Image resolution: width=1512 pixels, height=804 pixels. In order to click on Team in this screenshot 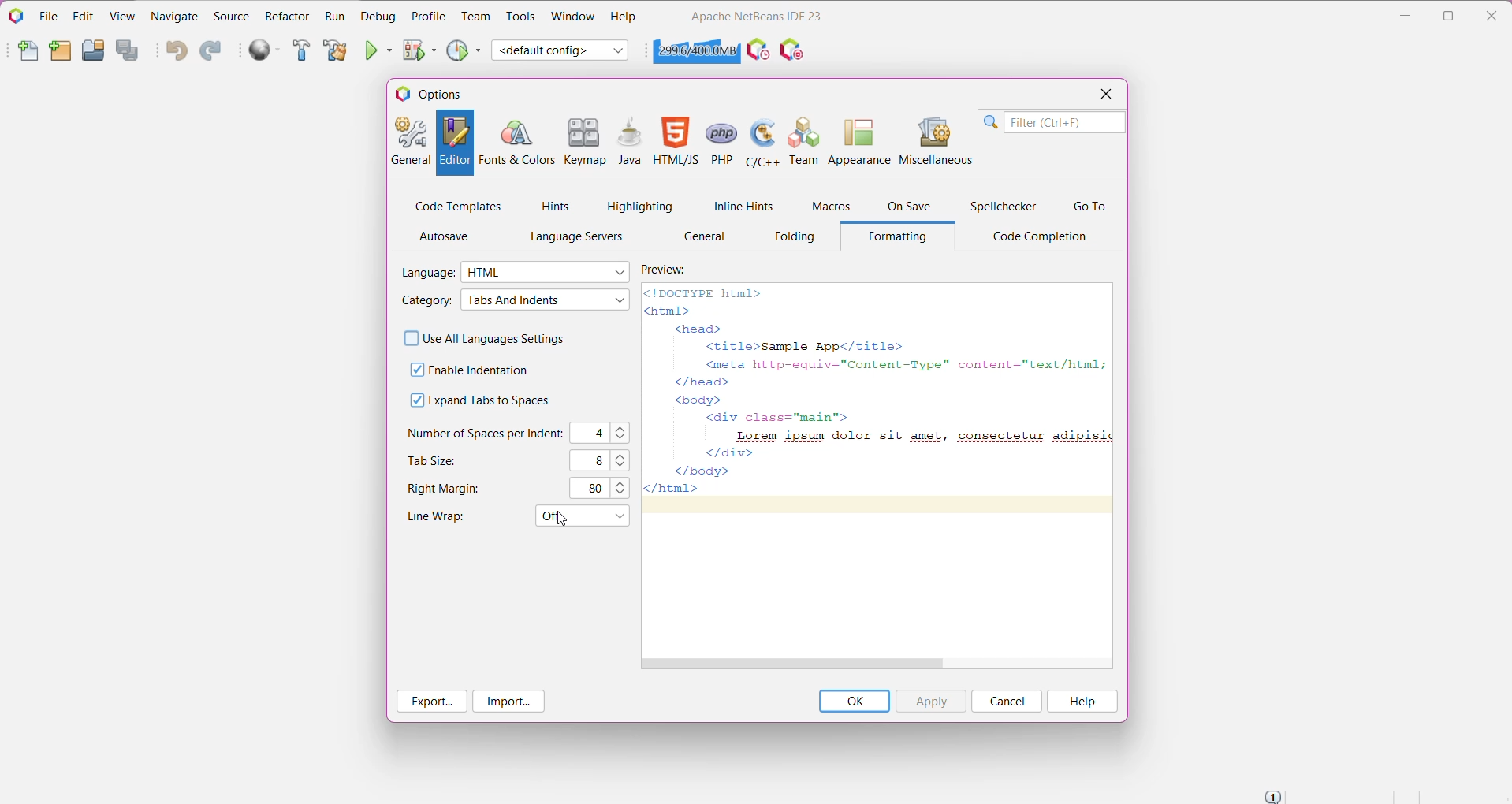, I will do `click(802, 140)`.